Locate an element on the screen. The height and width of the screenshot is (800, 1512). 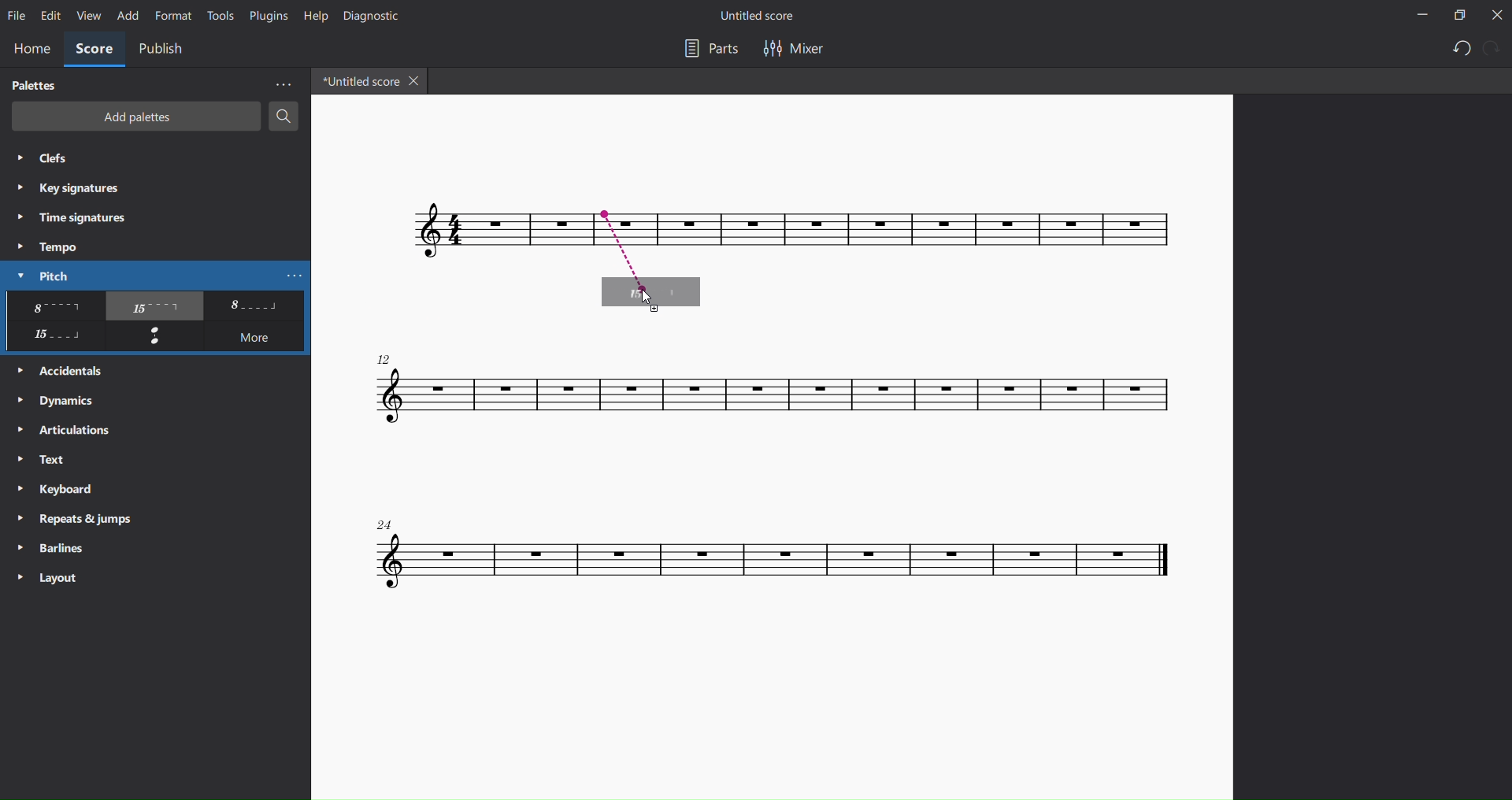
maximize is located at coordinates (1455, 15).